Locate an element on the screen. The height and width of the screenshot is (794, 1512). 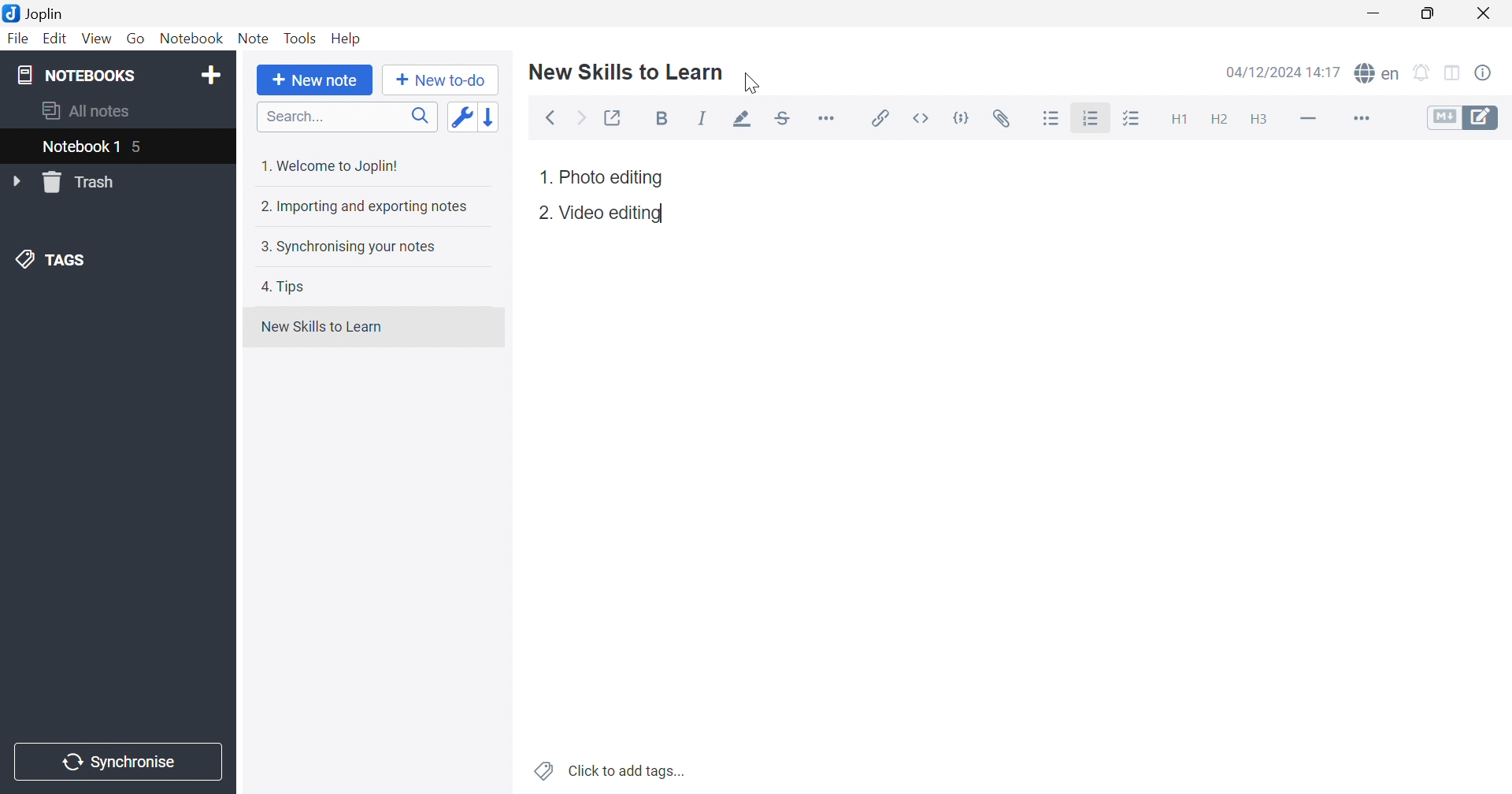
NOTEBOOKS is located at coordinates (75, 74).